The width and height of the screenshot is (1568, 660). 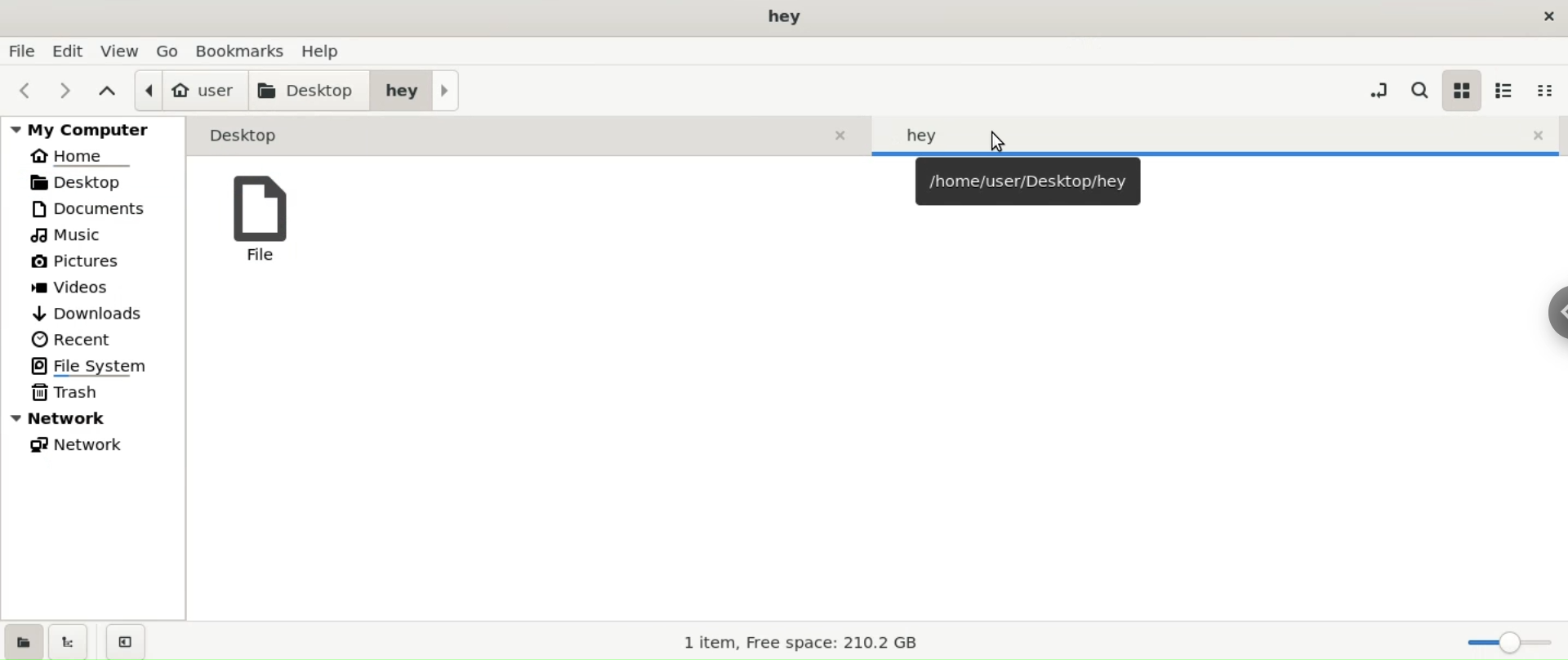 I want to click on documents, so click(x=100, y=209).